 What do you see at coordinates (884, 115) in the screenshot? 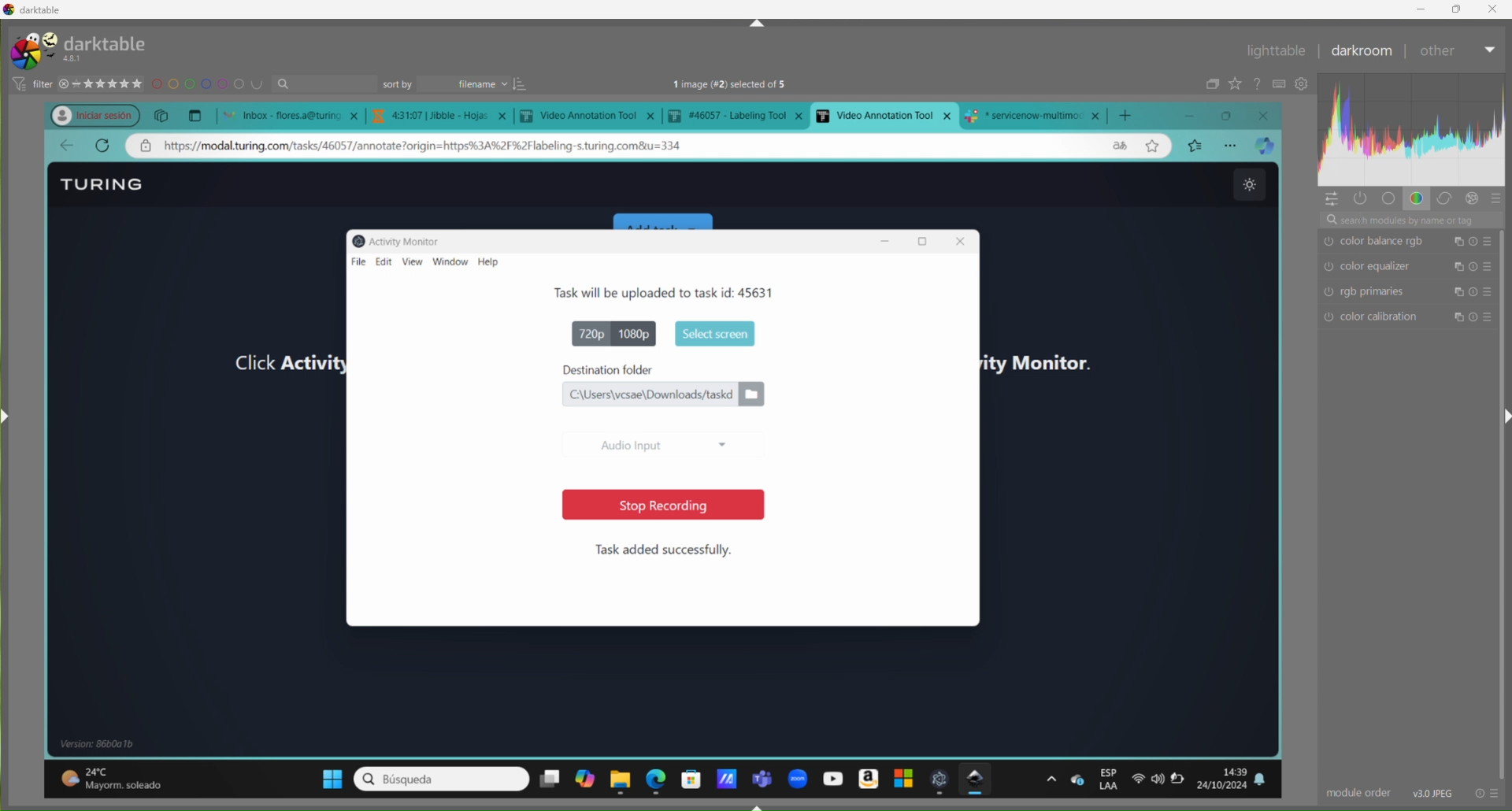
I see `current open tab` at bounding box center [884, 115].